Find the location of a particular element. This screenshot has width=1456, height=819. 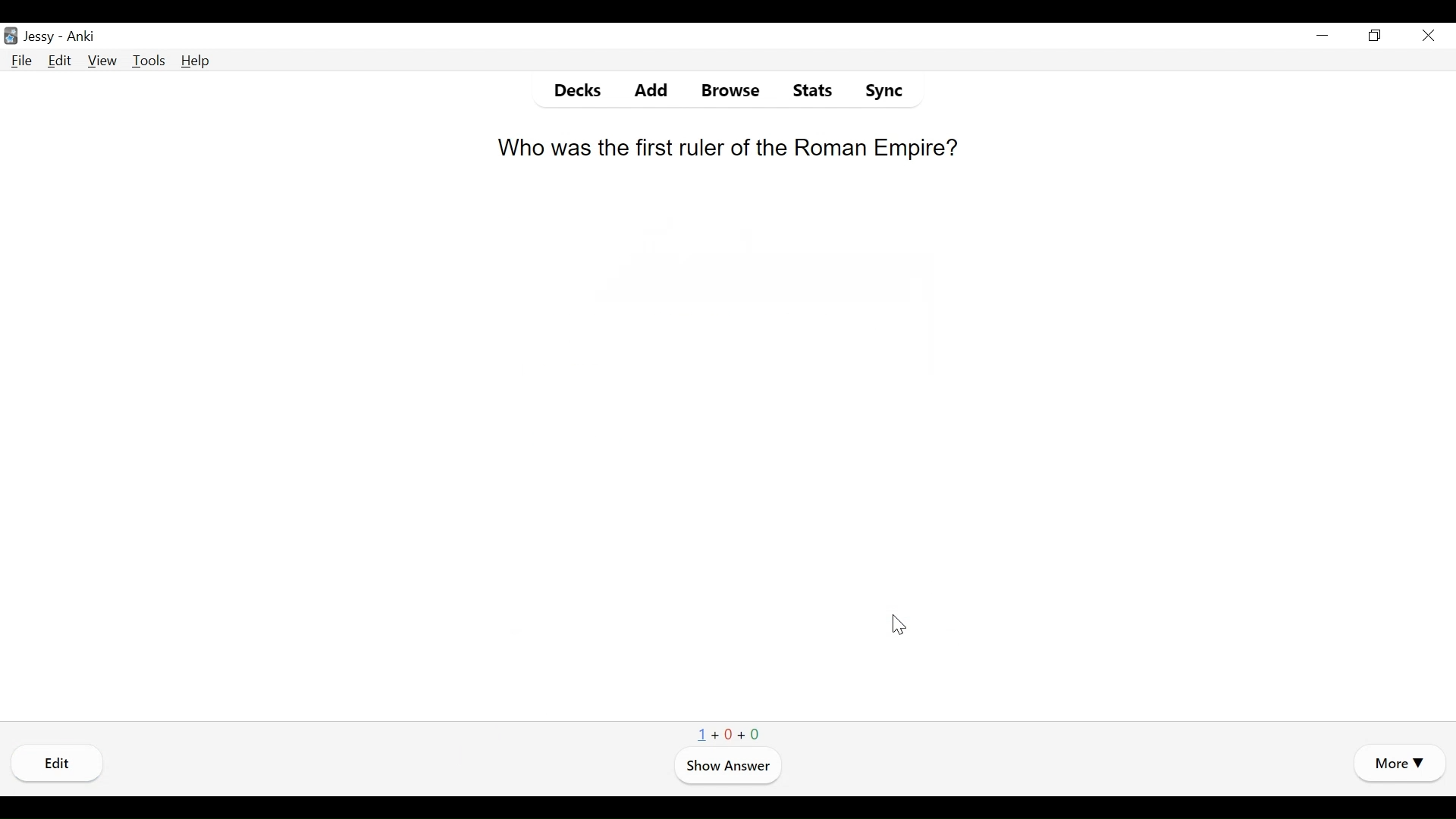

View is located at coordinates (101, 61).